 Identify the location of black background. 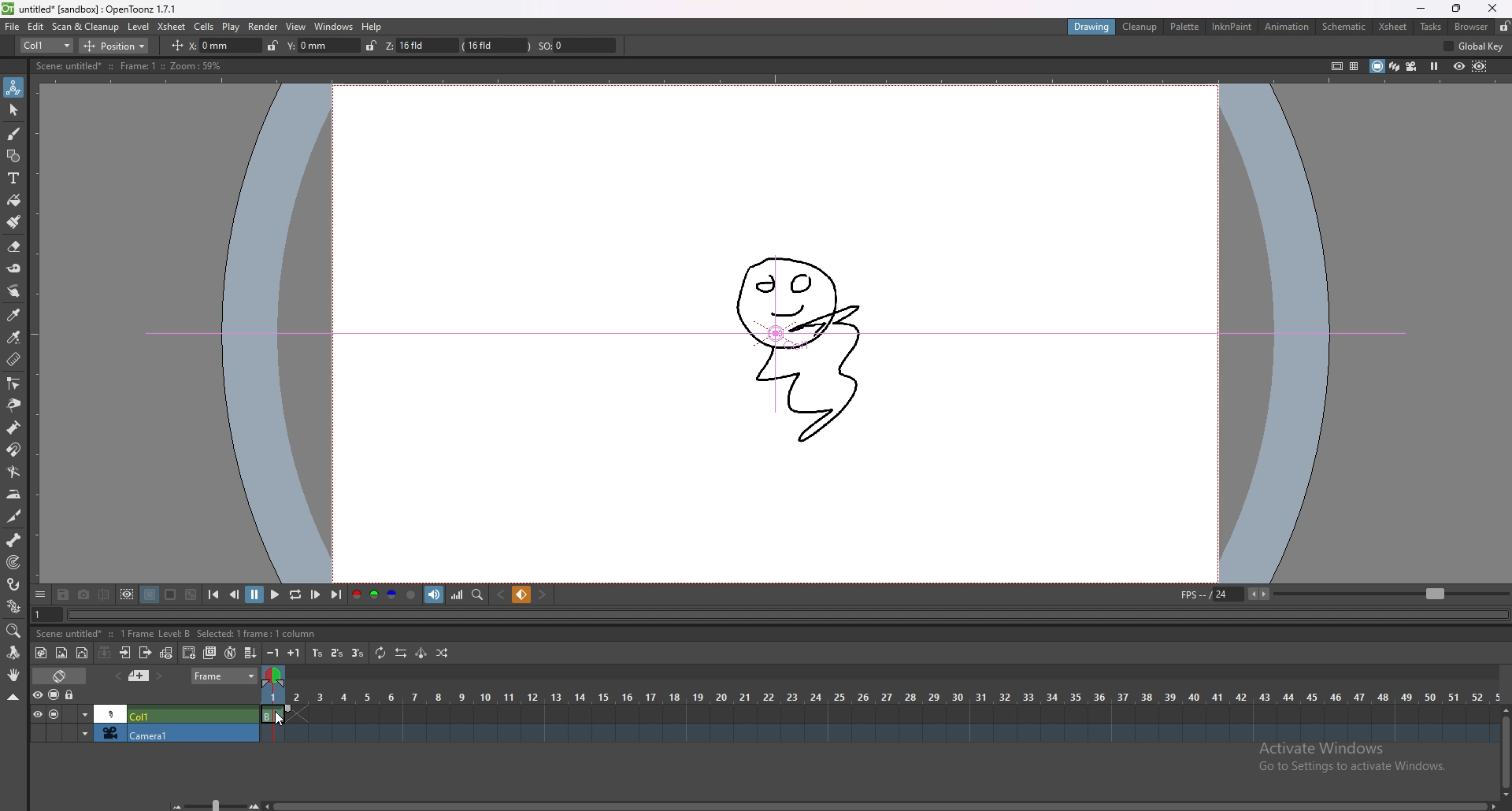
(150, 594).